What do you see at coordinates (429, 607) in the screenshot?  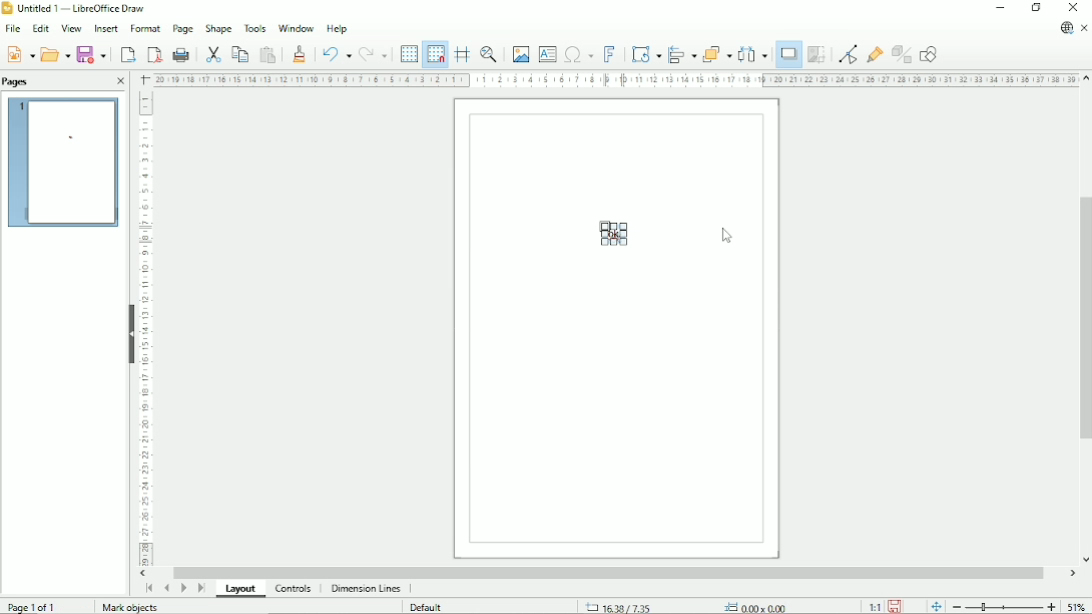 I see `Default` at bounding box center [429, 607].